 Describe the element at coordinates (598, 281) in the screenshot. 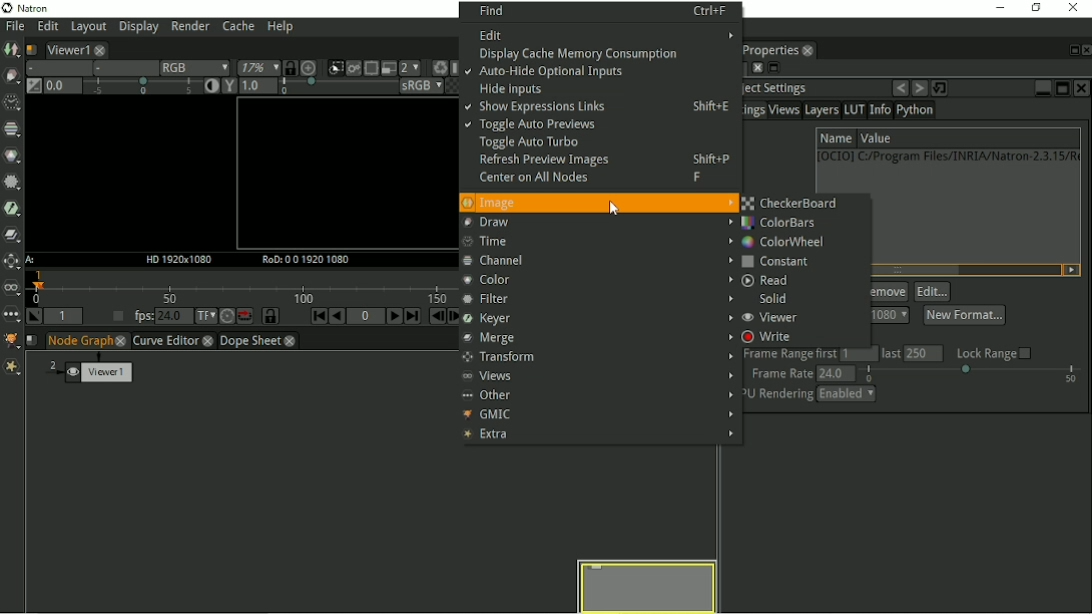

I see `Color` at that location.